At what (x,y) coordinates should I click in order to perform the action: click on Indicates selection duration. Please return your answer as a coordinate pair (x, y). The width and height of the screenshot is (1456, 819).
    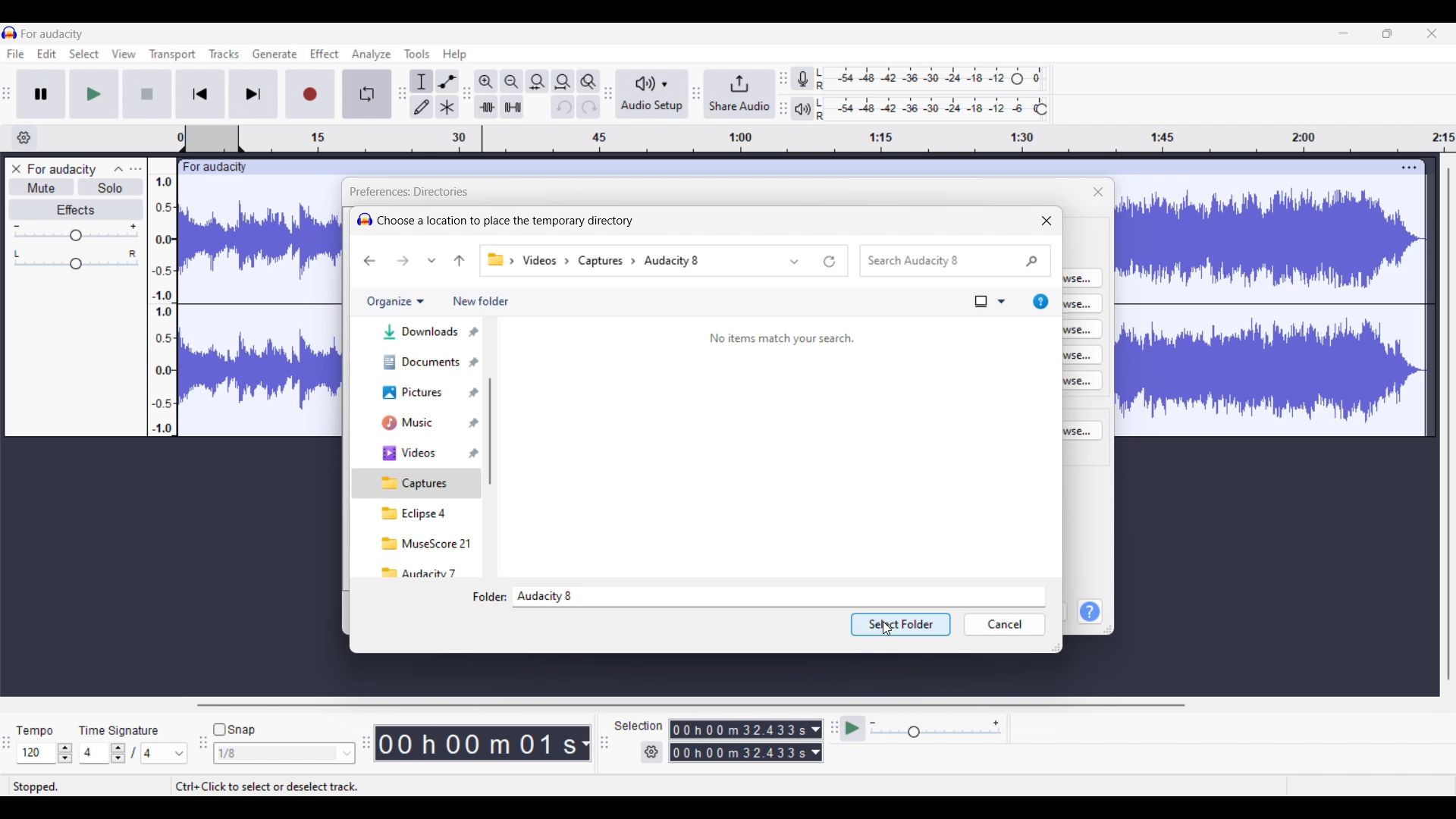
    Looking at the image, I should click on (639, 726).